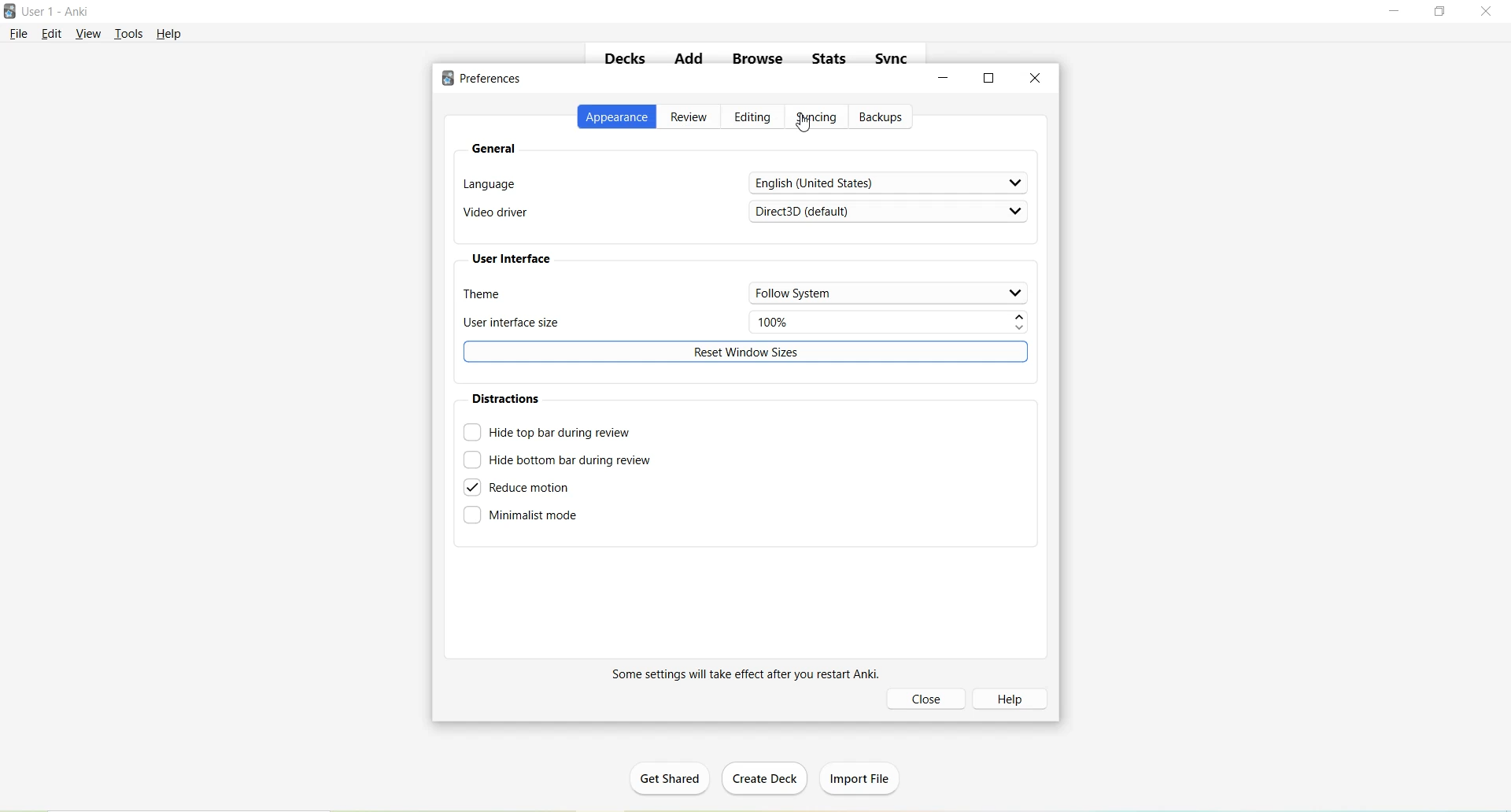 This screenshot has height=812, width=1511. What do you see at coordinates (626, 61) in the screenshot?
I see `Decks` at bounding box center [626, 61].